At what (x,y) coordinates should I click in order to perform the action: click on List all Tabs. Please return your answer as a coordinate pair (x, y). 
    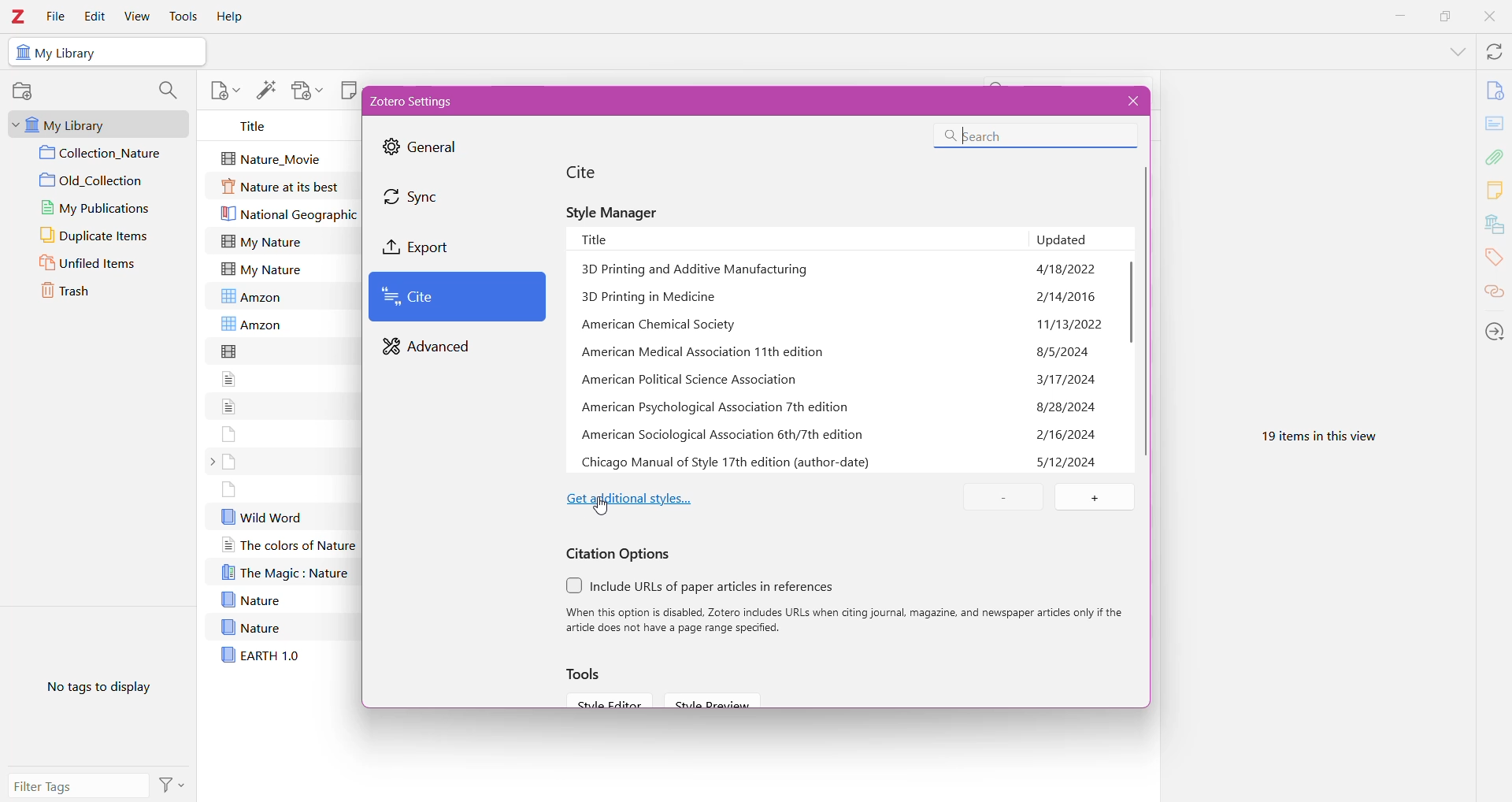
    Looking at the image, I should click on (1455, 50).